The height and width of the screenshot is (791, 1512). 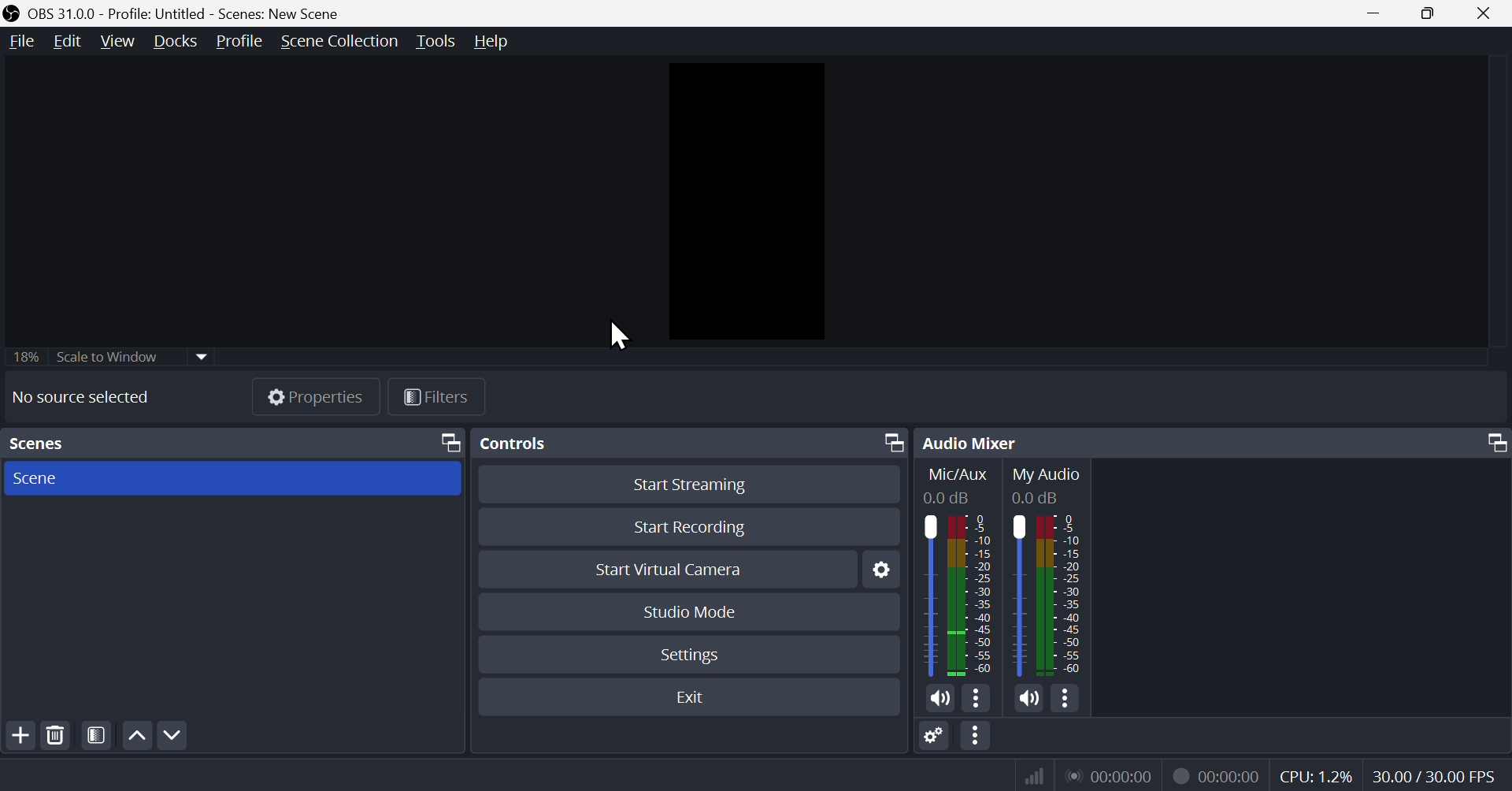 What do you see at coordinates (1439, 776) in the screenshot?
I see `30.00/30.00 FPS` at bounding box center [1439, 776].